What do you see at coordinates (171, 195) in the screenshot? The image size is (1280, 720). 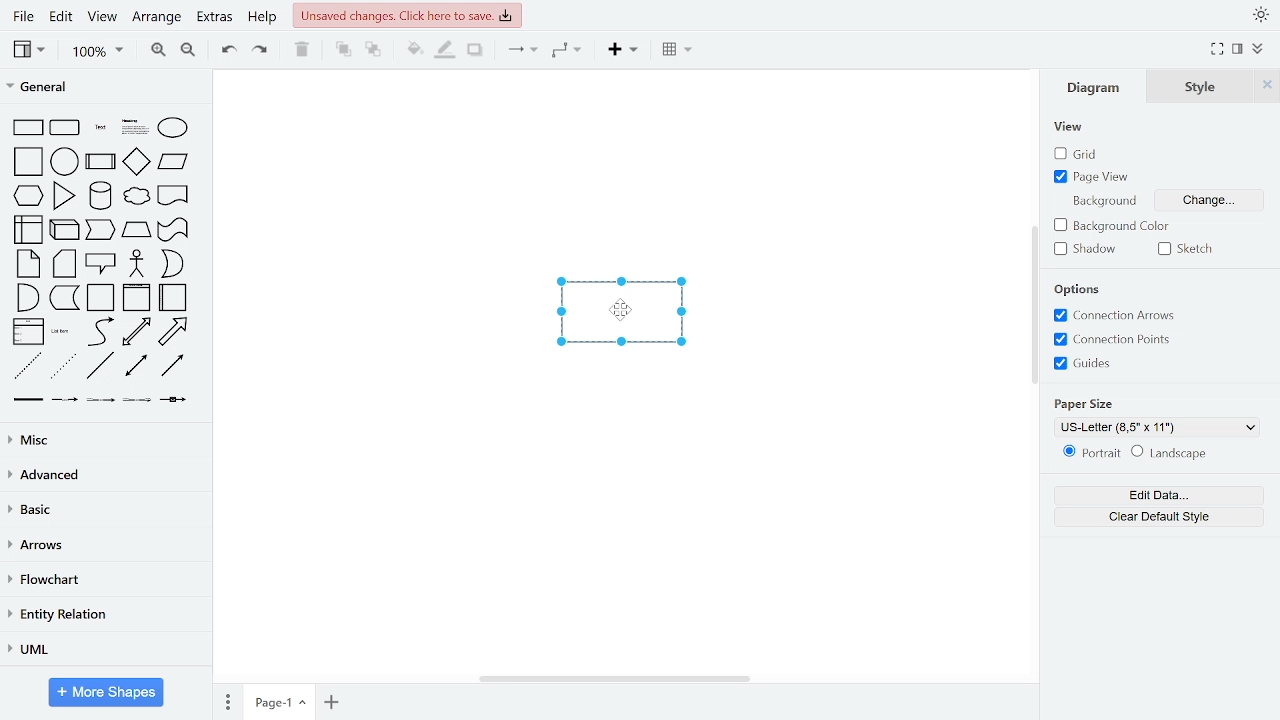 I see `general shapes` at bounding box center [171, 195].